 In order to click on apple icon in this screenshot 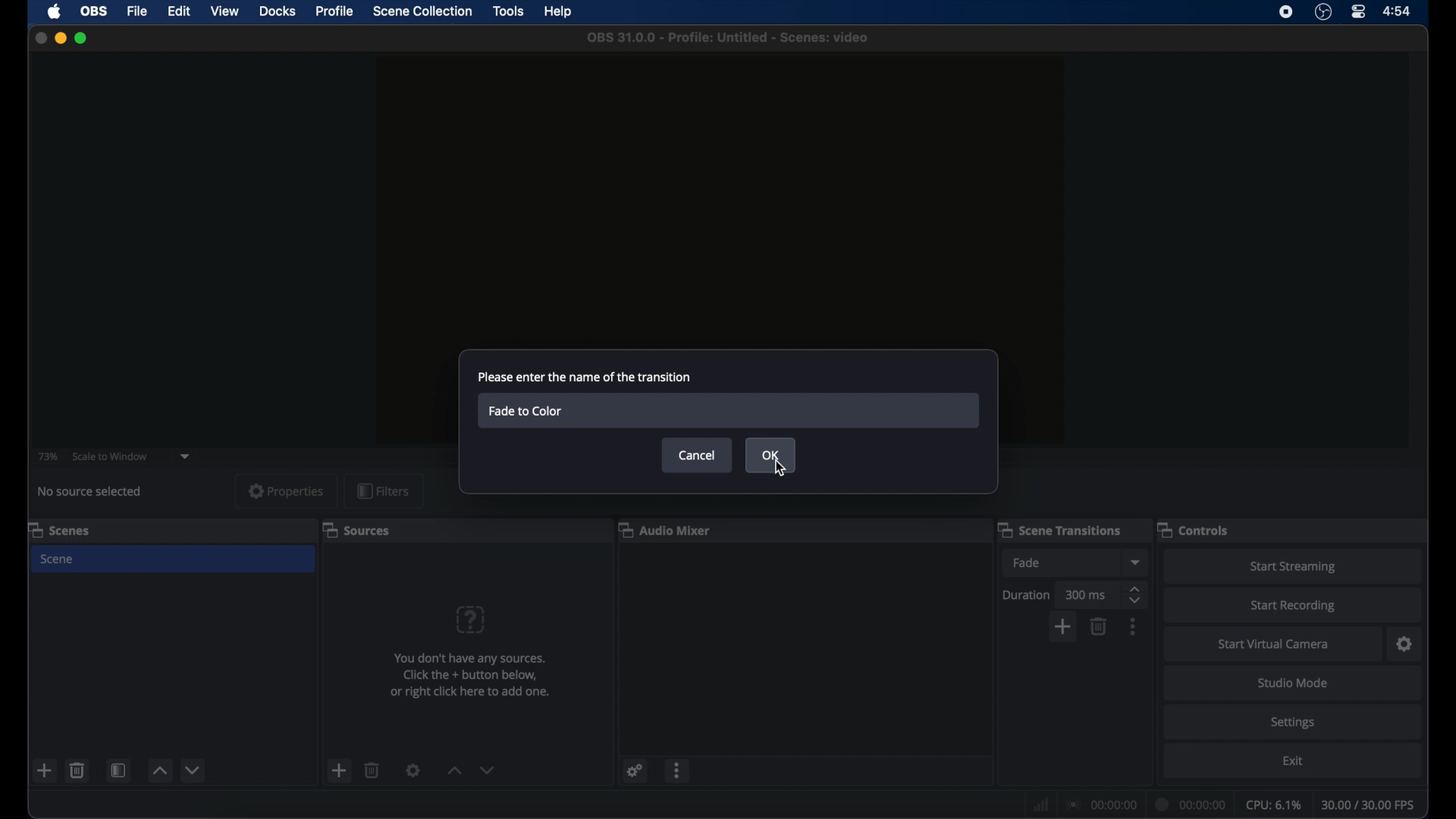, I will do `click(55, 11)`.